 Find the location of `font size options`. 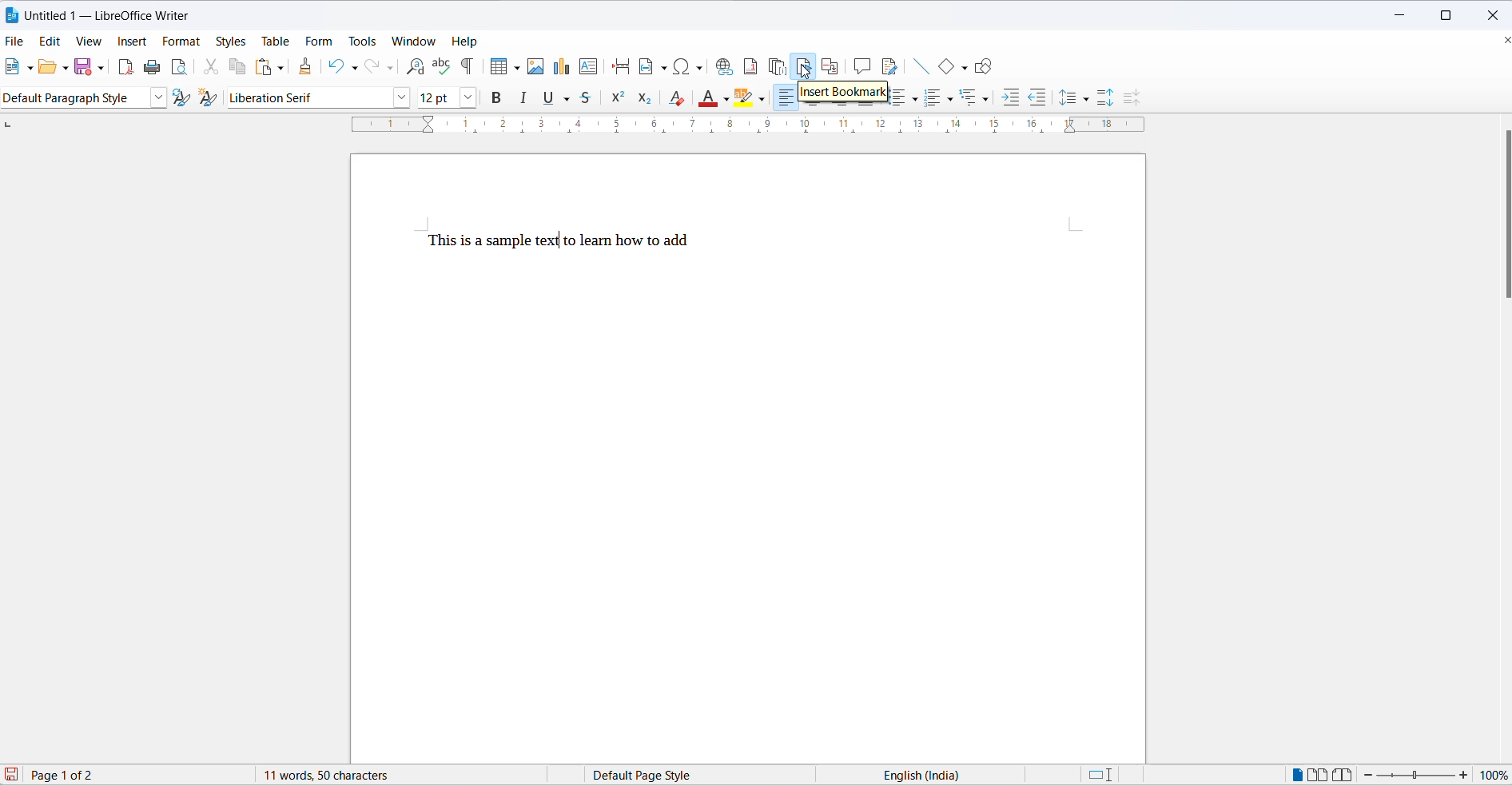

font size options is located at coordinates (467, 98).